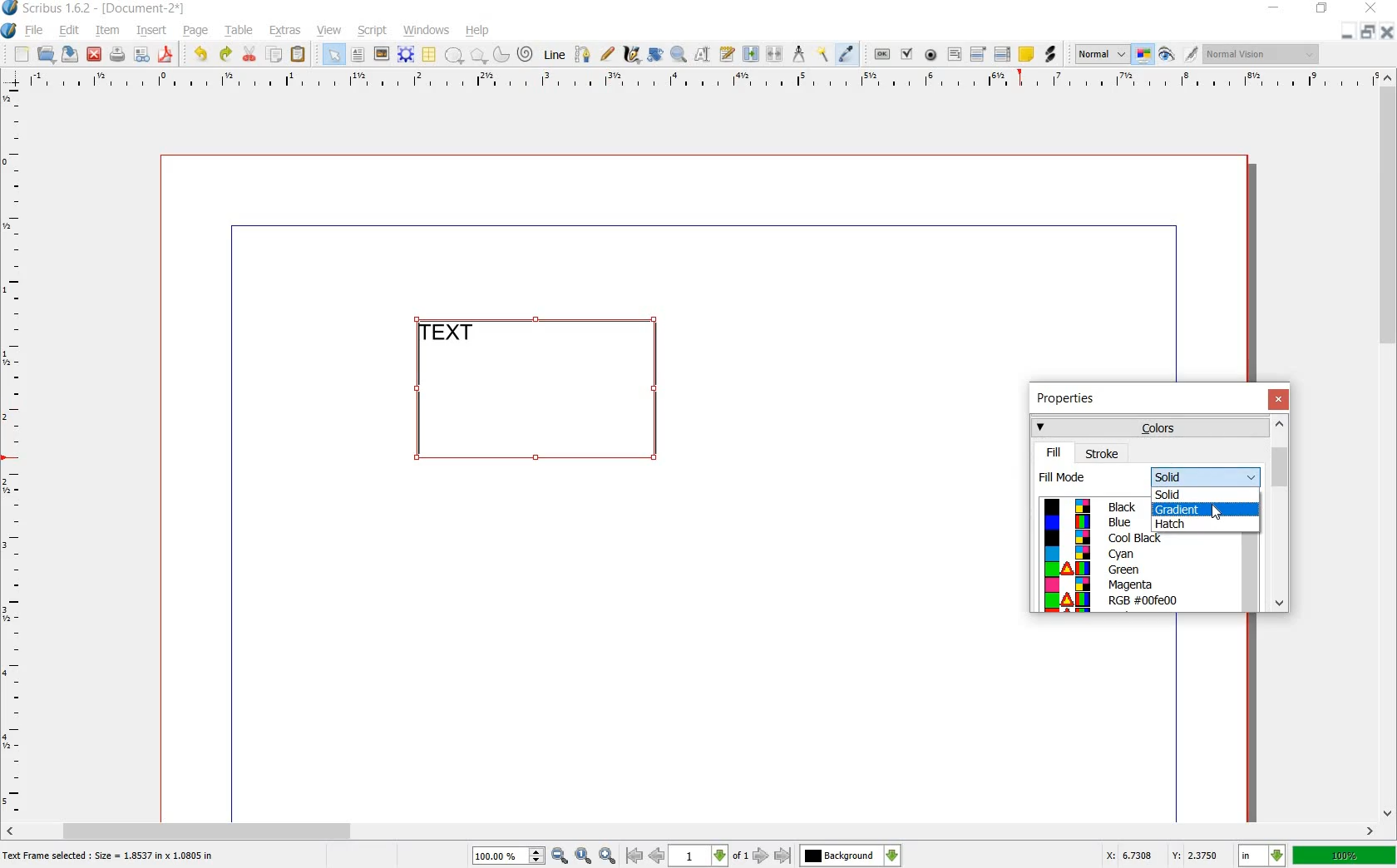 This screenshot has width=1397, height=868. I want to click on restore, so click(1322, 11).